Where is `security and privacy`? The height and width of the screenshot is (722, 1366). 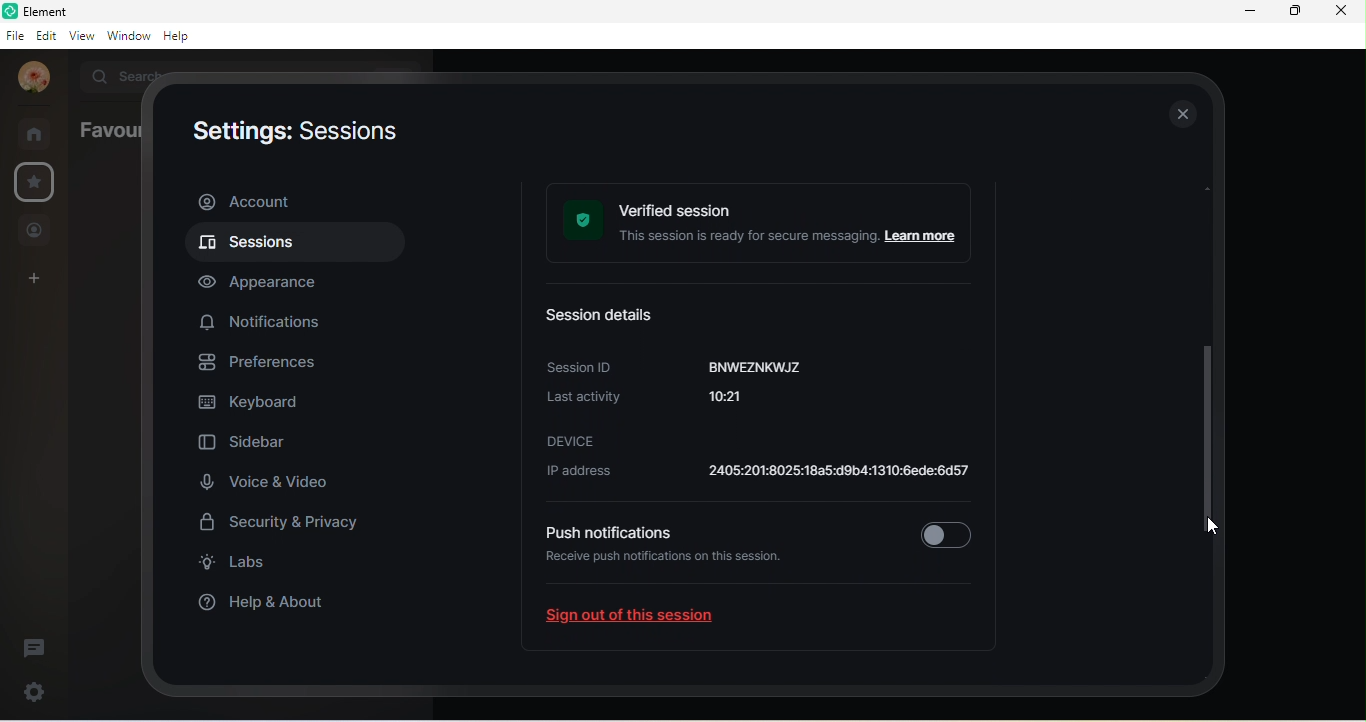 security and privacy is located at coordinates (290, 525).